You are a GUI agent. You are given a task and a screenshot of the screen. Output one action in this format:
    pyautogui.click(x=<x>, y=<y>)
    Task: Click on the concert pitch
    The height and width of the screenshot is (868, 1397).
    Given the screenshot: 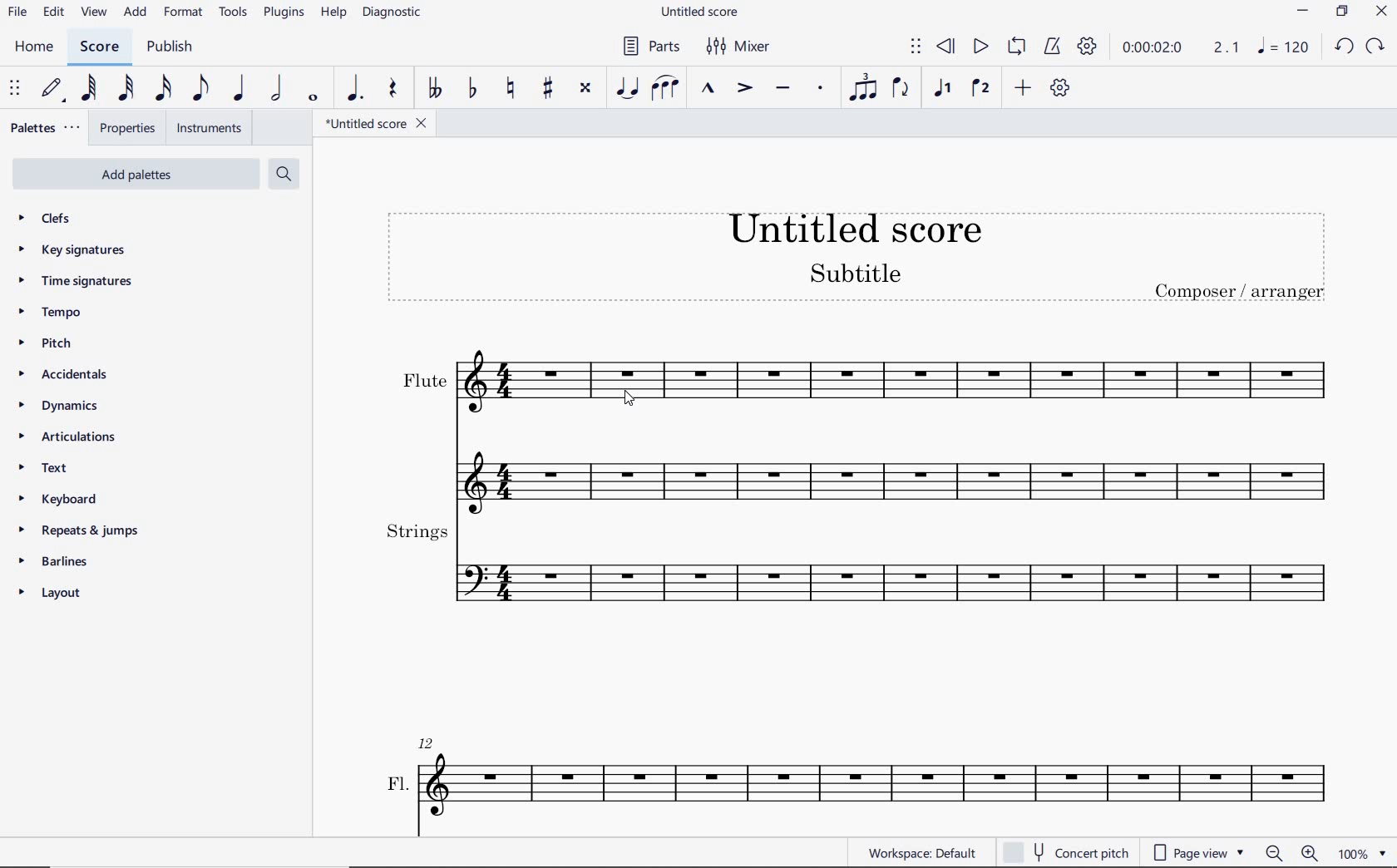 What is the action you would take?
    pyautogui.click(x=1065, y=850)
    